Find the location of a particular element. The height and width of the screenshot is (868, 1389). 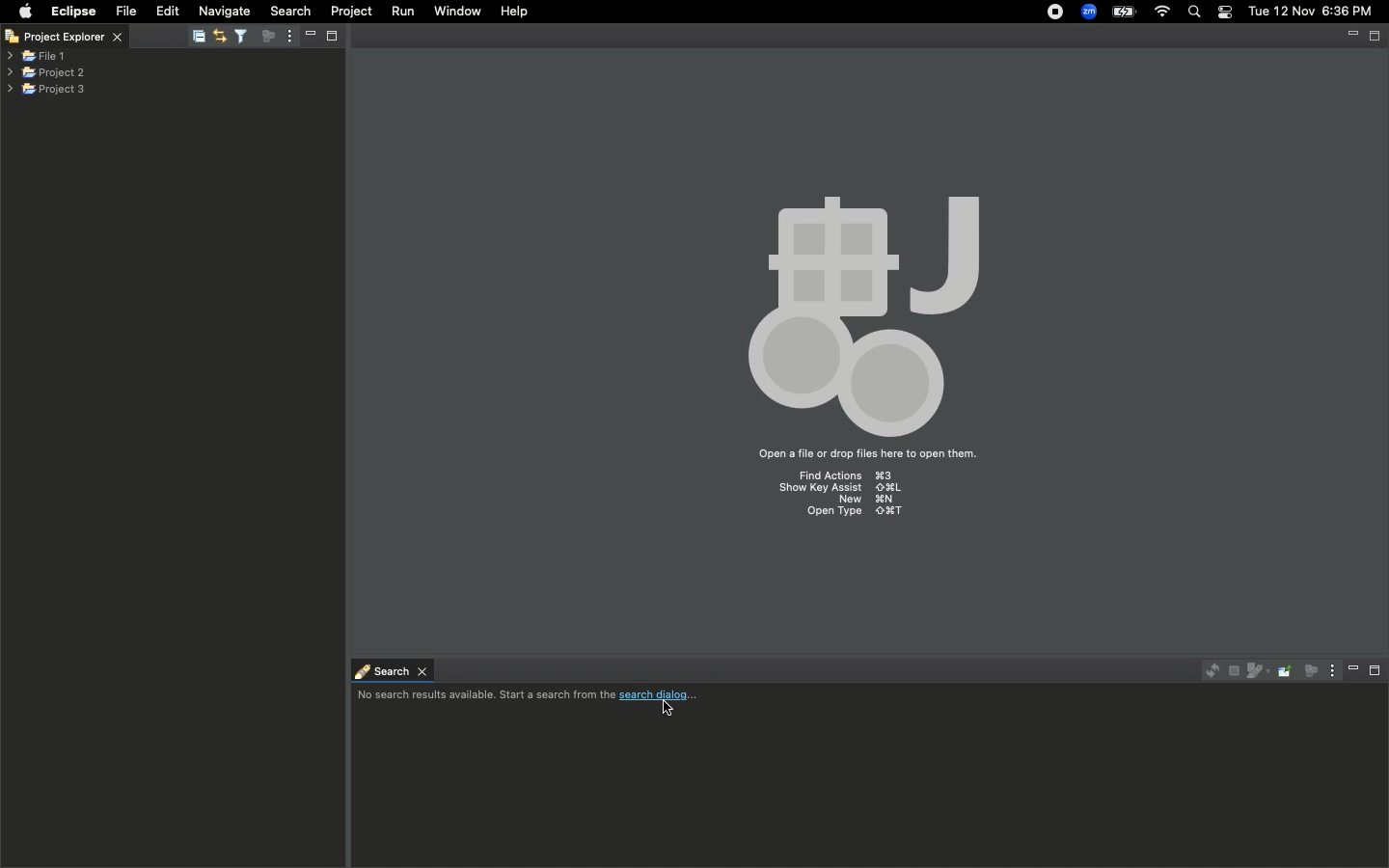

Search is located at coordinates (390, 669).